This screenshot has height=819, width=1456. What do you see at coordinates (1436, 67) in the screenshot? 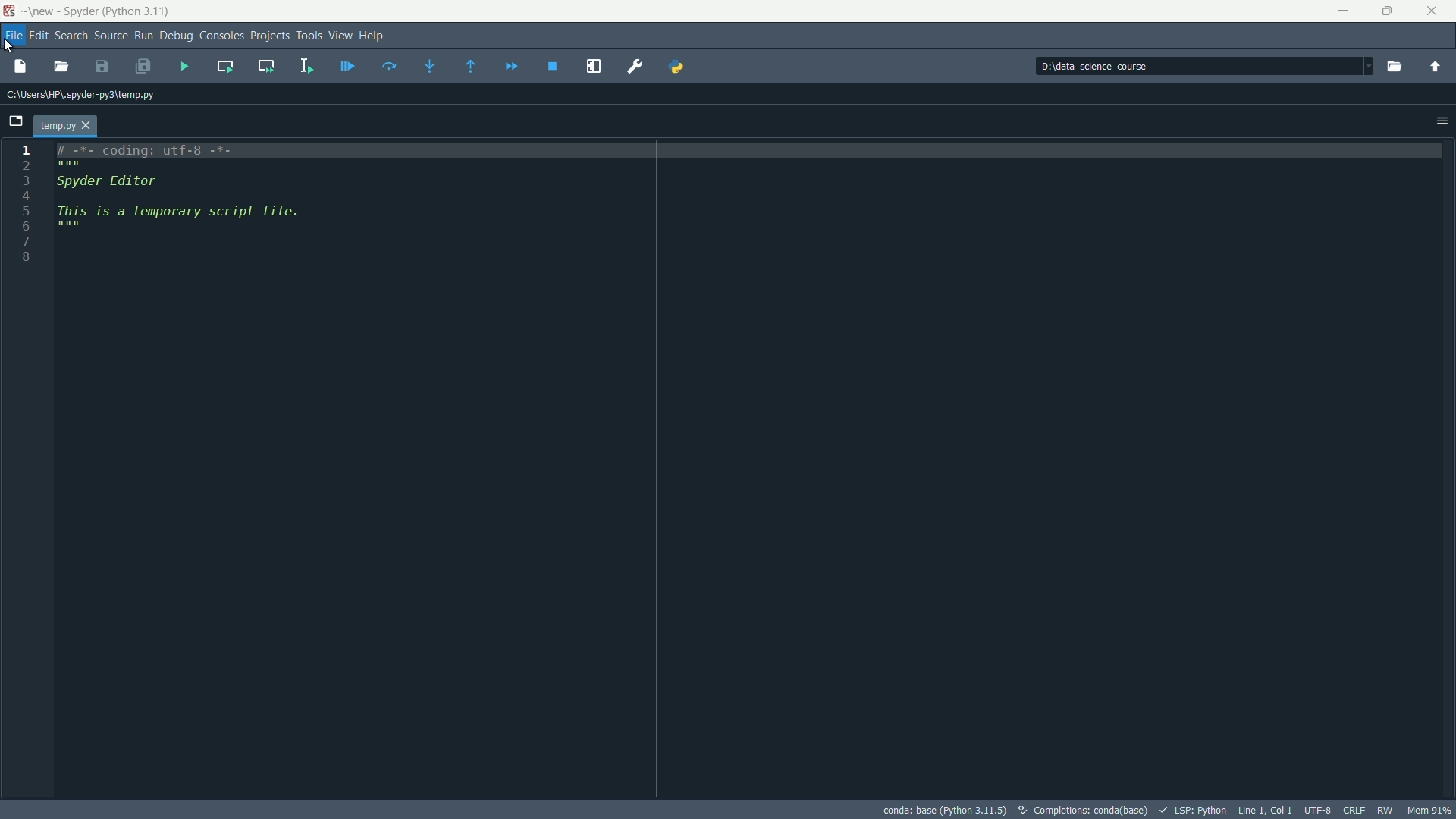
I see `change to parent directory` at bounding box center [1436, 67].